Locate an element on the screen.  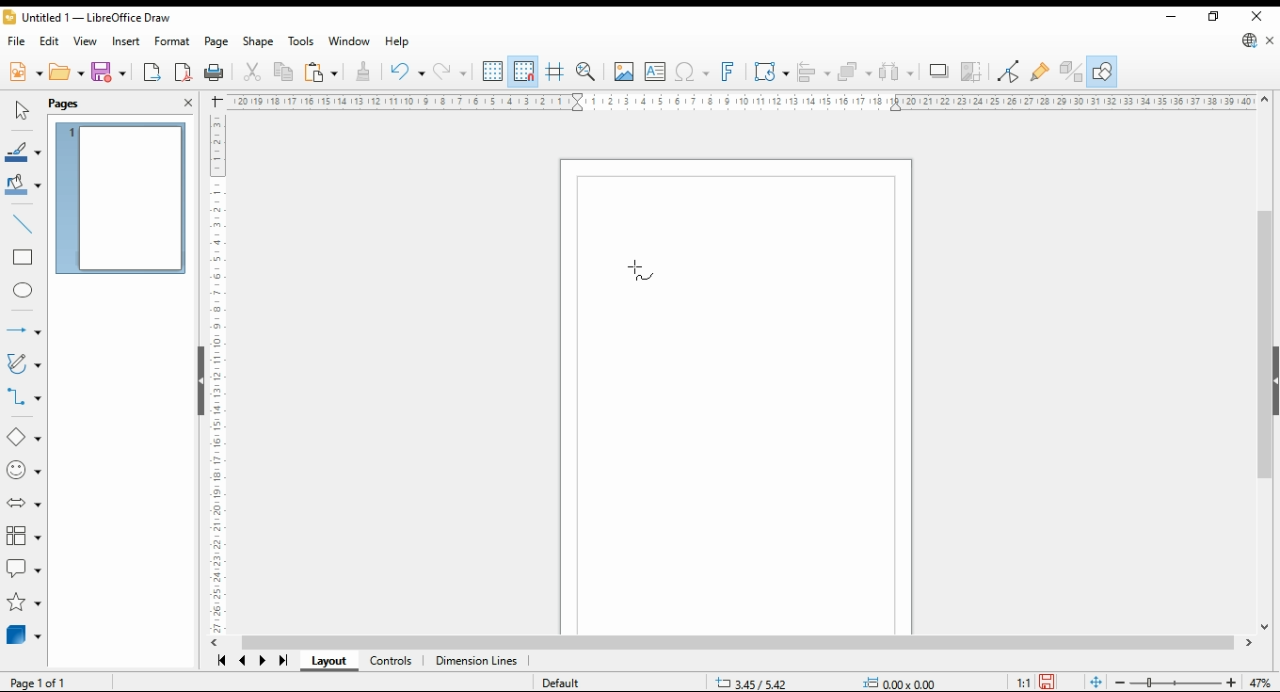
clone formatting is located at coordinates (366, 73).